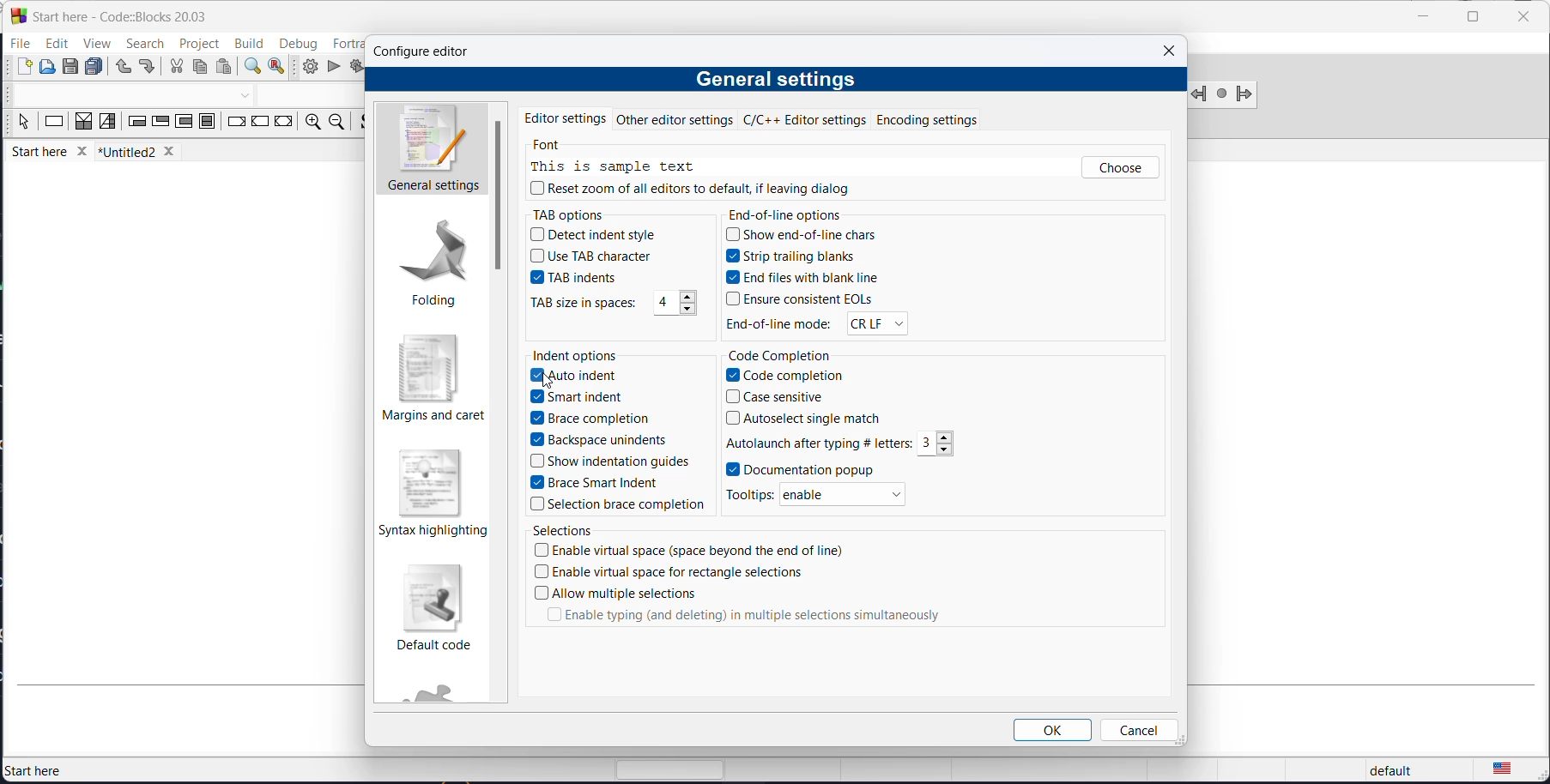 The height and width of the screenshot is (784, 1550). Describe the element at coordinates (283, 123) in the screenshot. I see `return instruction` at that location.